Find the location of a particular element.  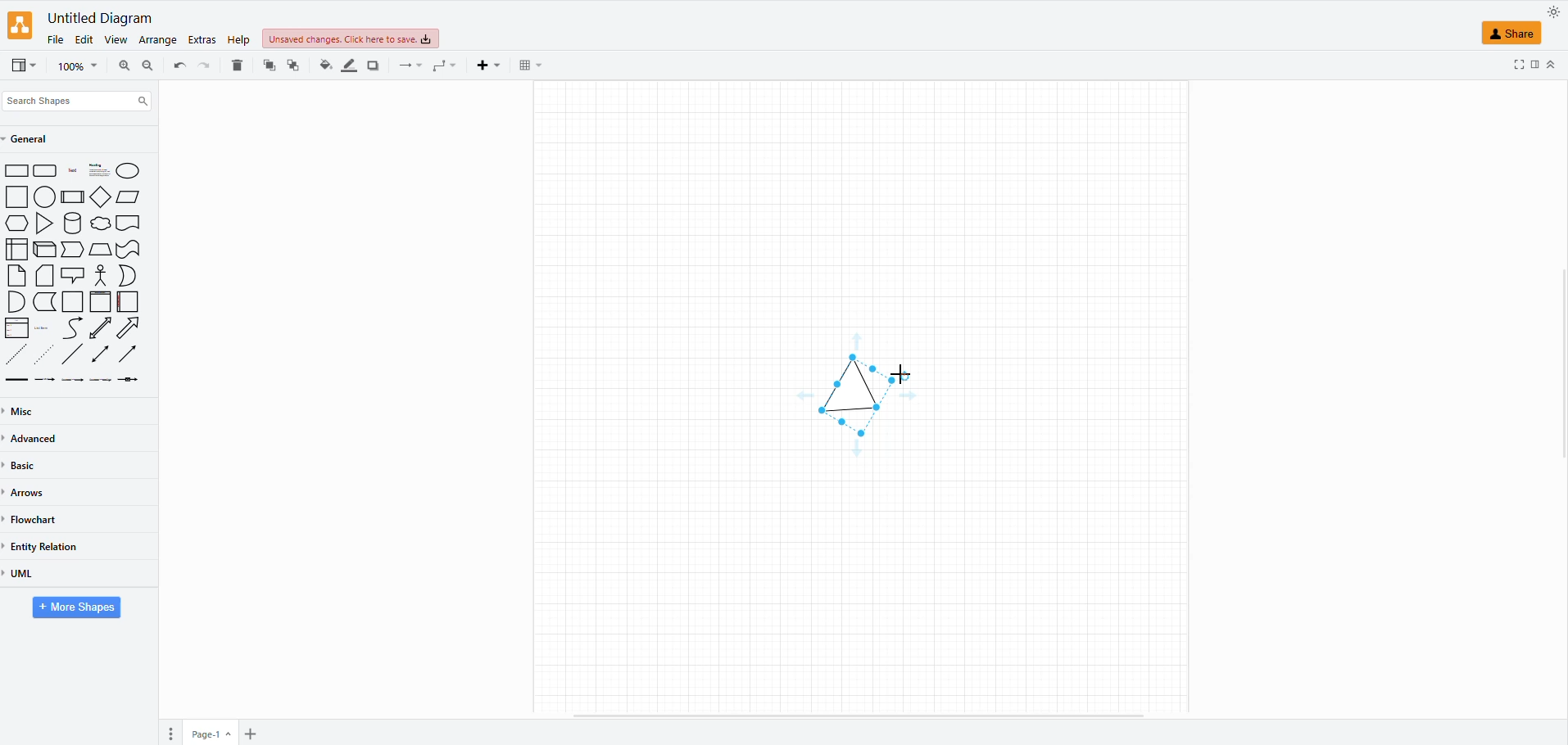

line color is located at coordinates (347, 64).